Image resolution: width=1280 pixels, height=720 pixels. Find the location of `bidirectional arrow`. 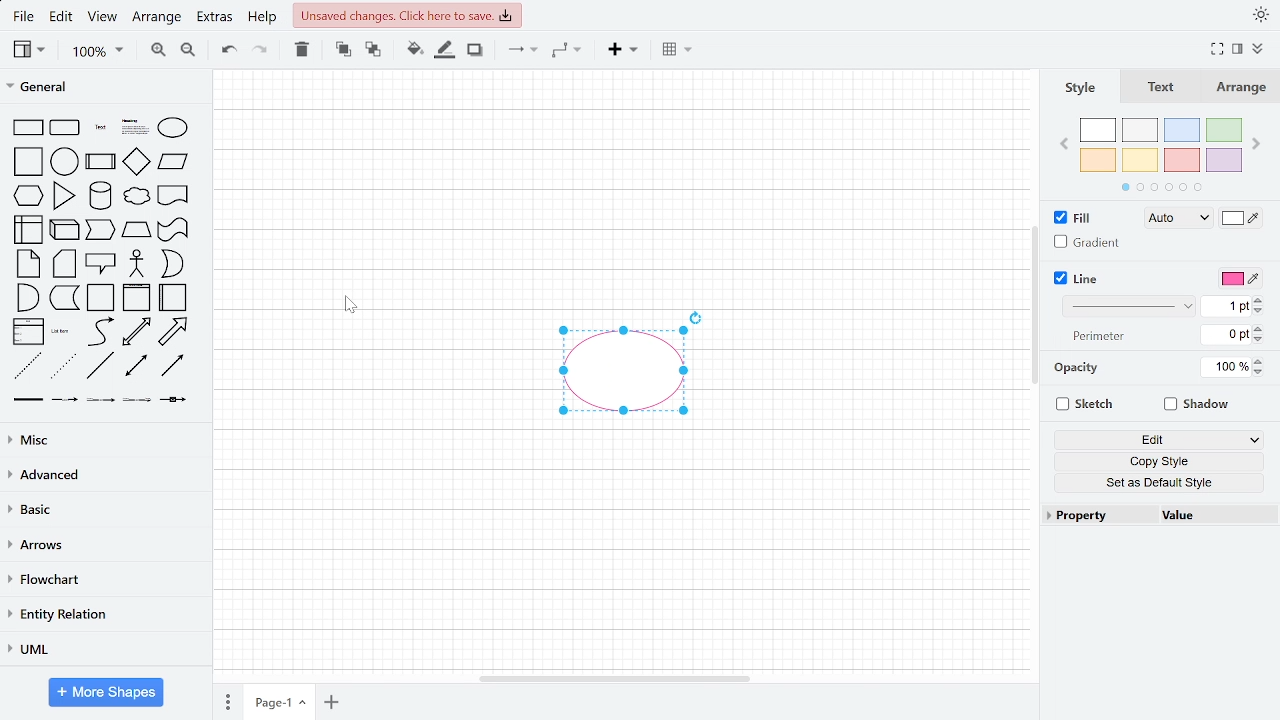

bidirectional arrow is located at coordinates (138, 333).